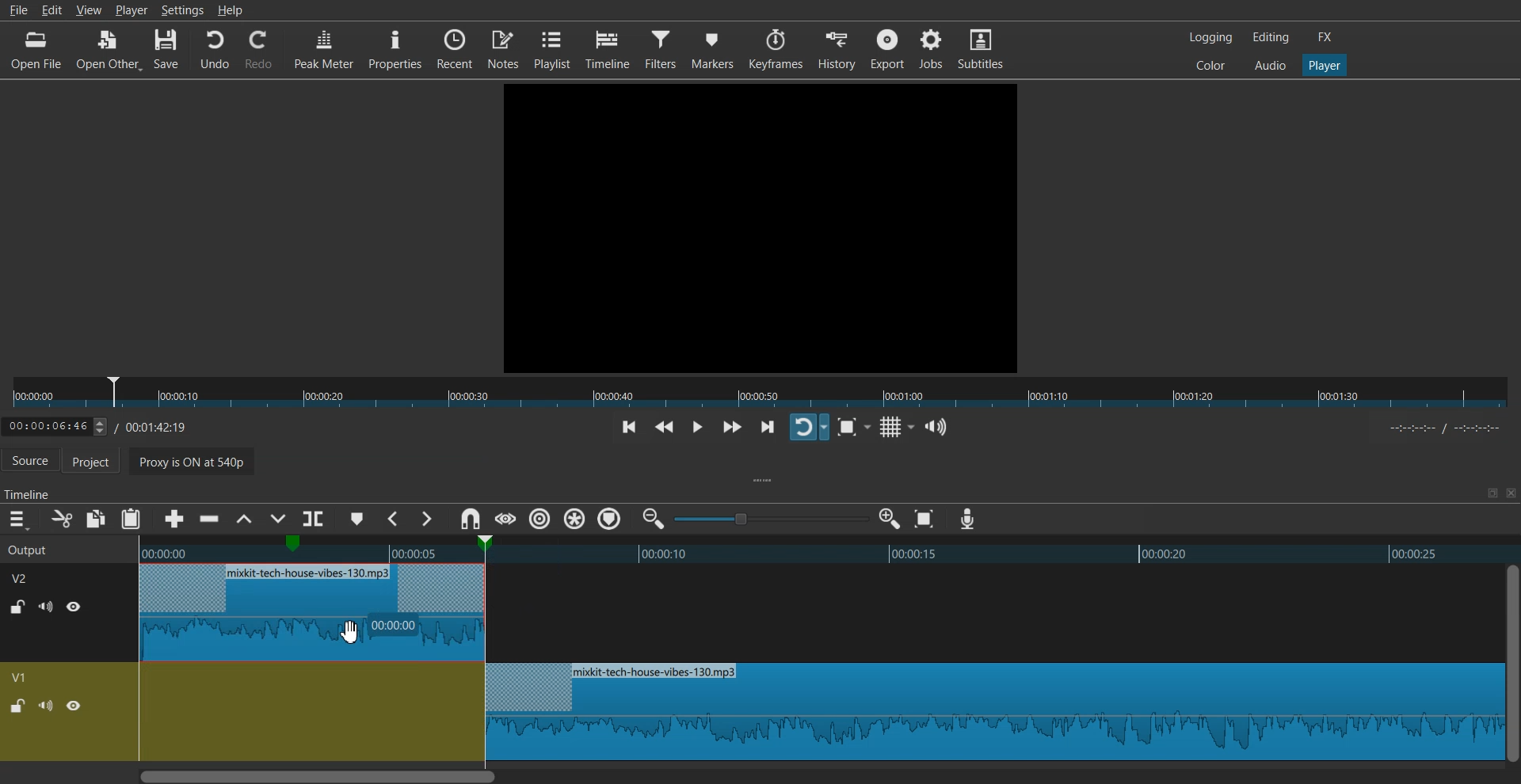 The image size is (1521, 784). What do you see at coordinates (210, 519) in the screenshot?
I see `Ripple delete` at bounding box center [210, 519].